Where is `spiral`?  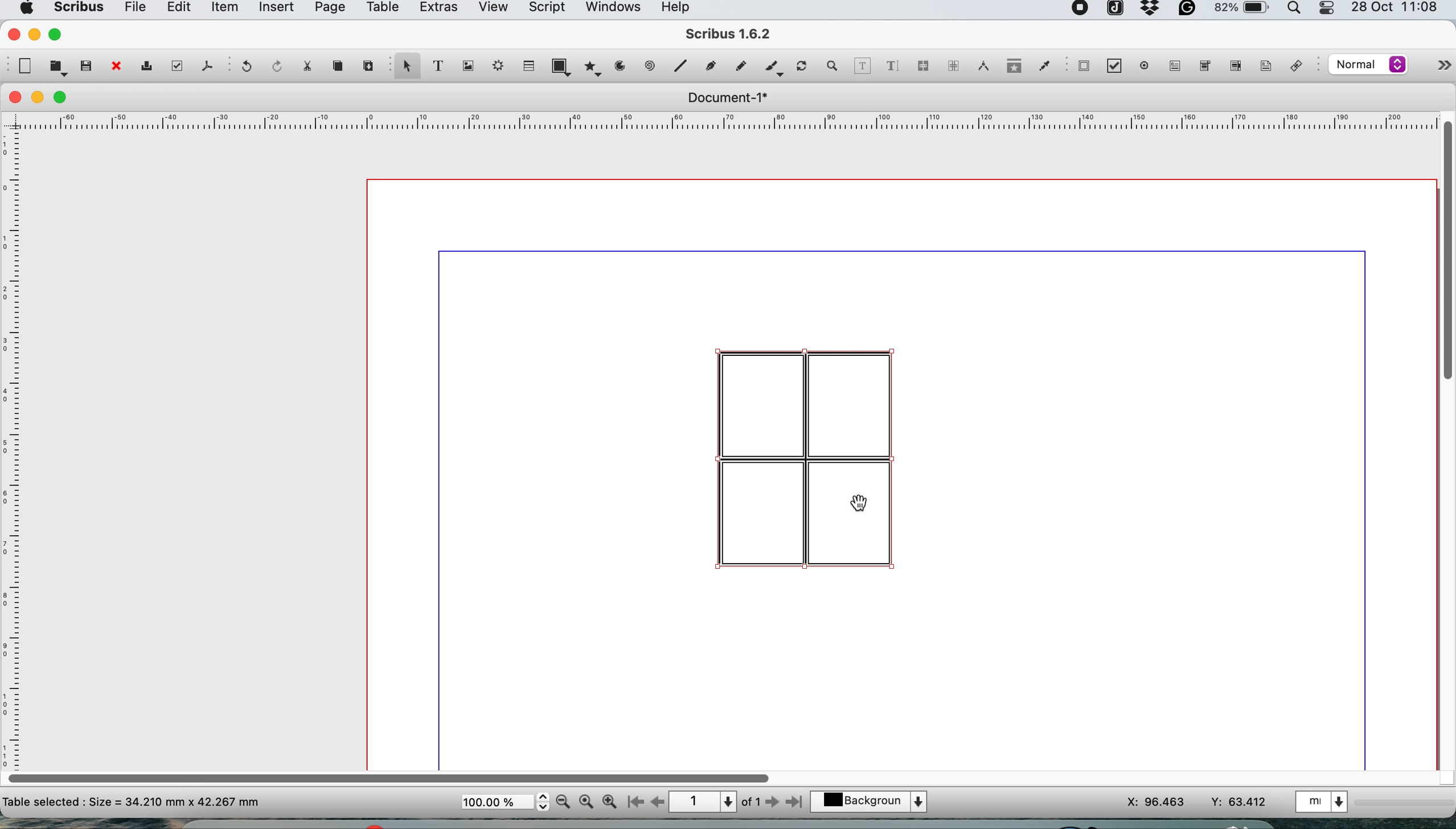 spiral is located at coordinates (651, 65).